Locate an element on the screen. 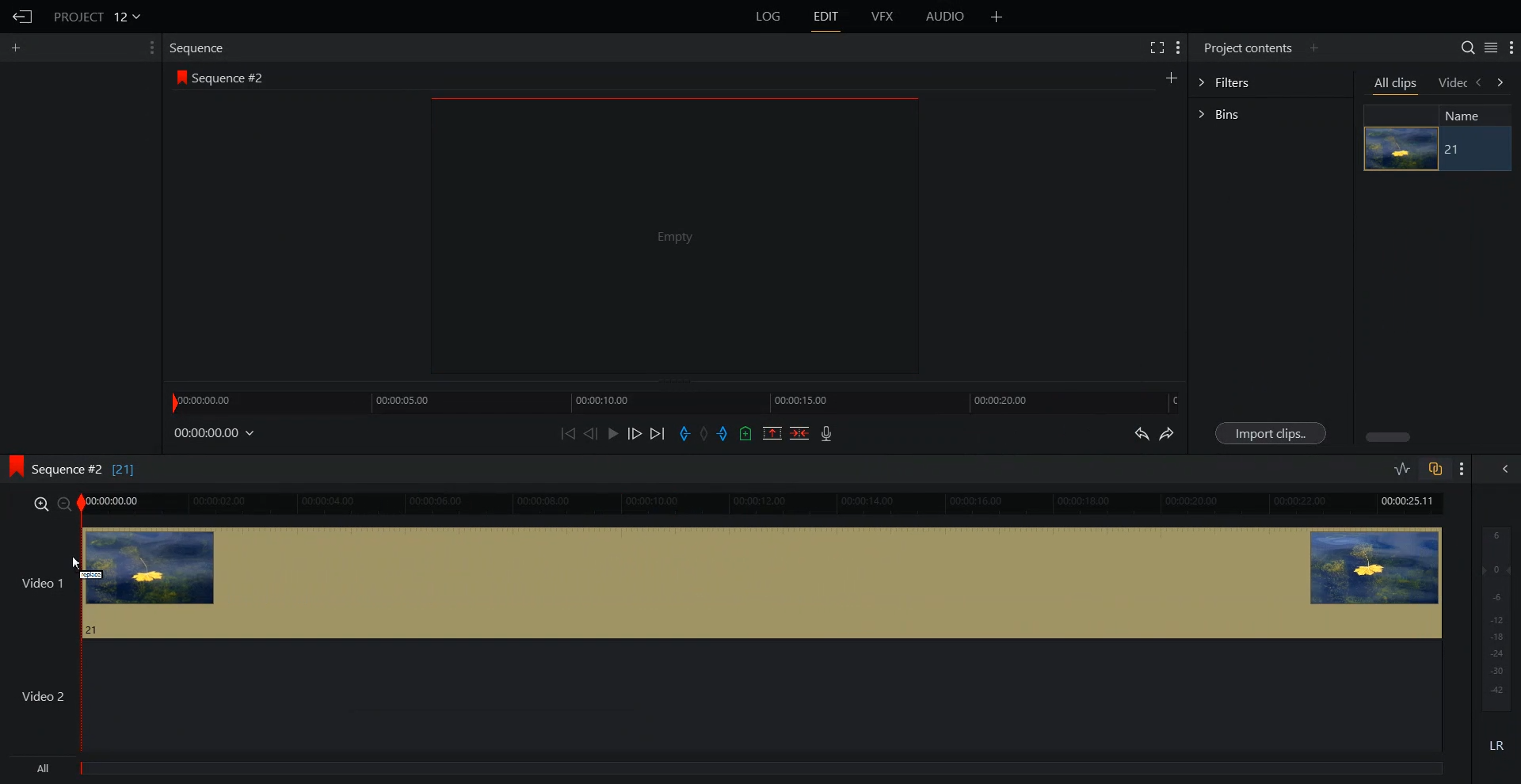  Sequence 2 is located at coordinates (229, 78).